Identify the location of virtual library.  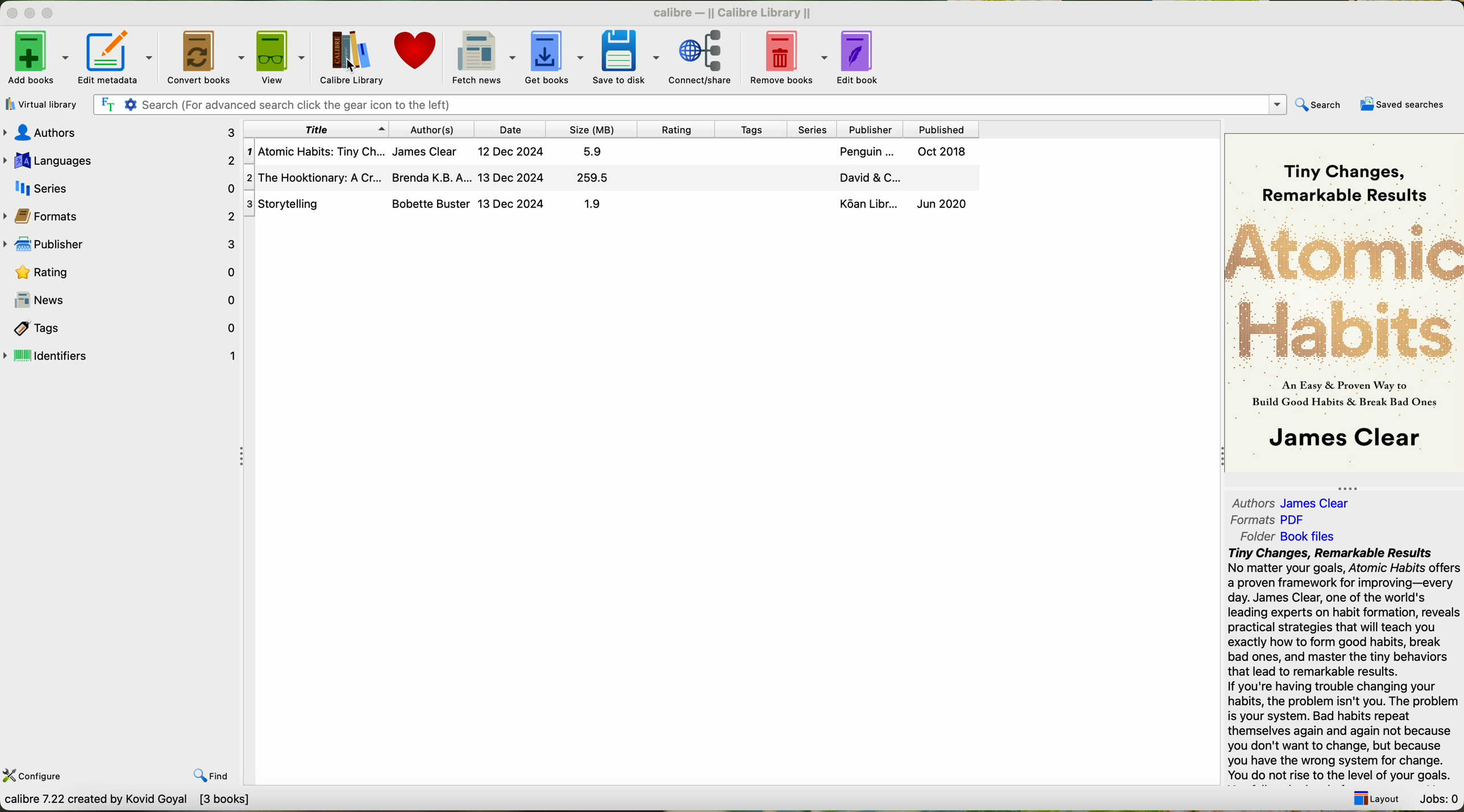
(43, 105).